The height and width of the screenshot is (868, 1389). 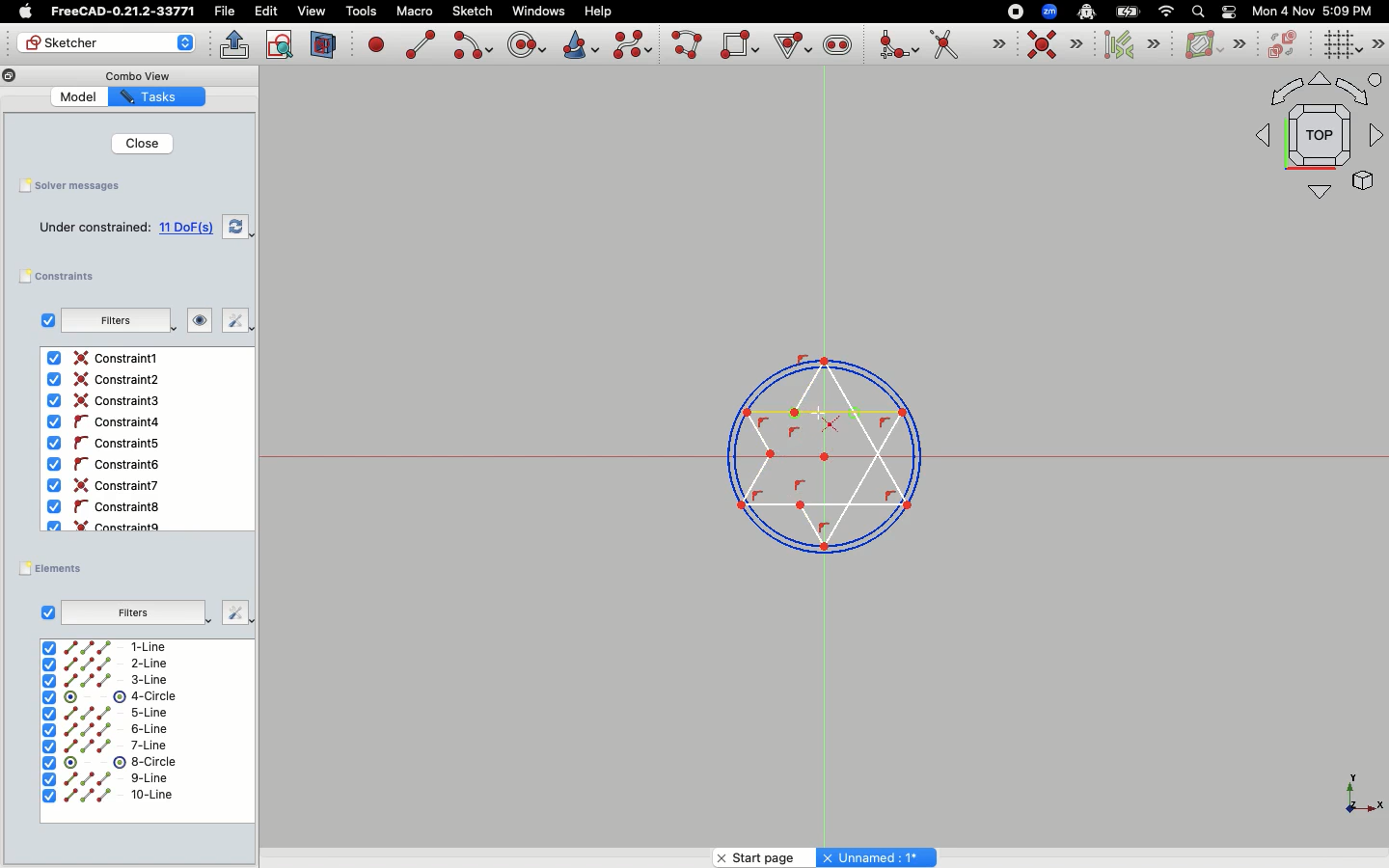 I want to click on 1-Line, so click(x=114, y=647).